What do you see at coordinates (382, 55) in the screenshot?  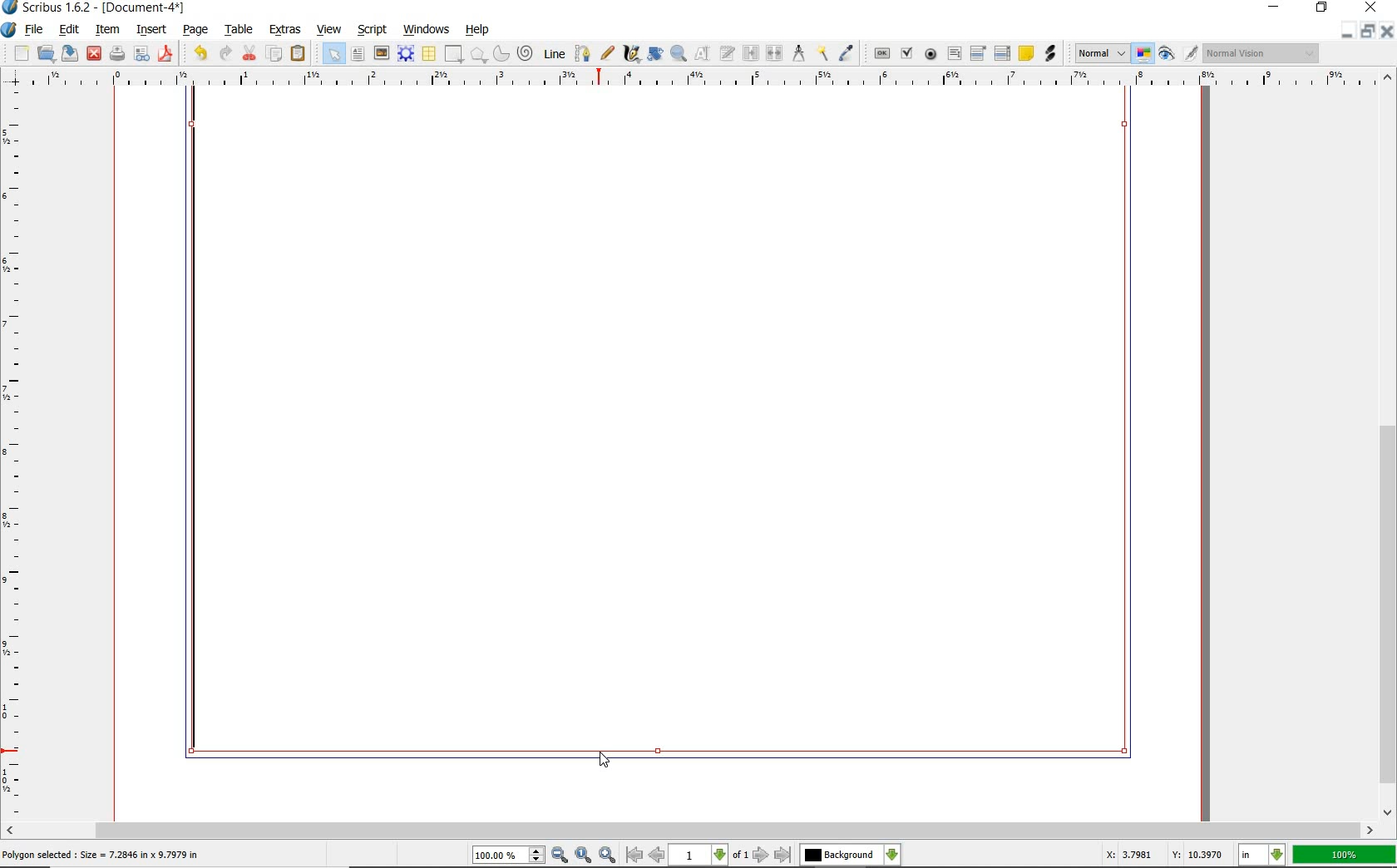 I see `image frame` at bounding box center [382, 55].